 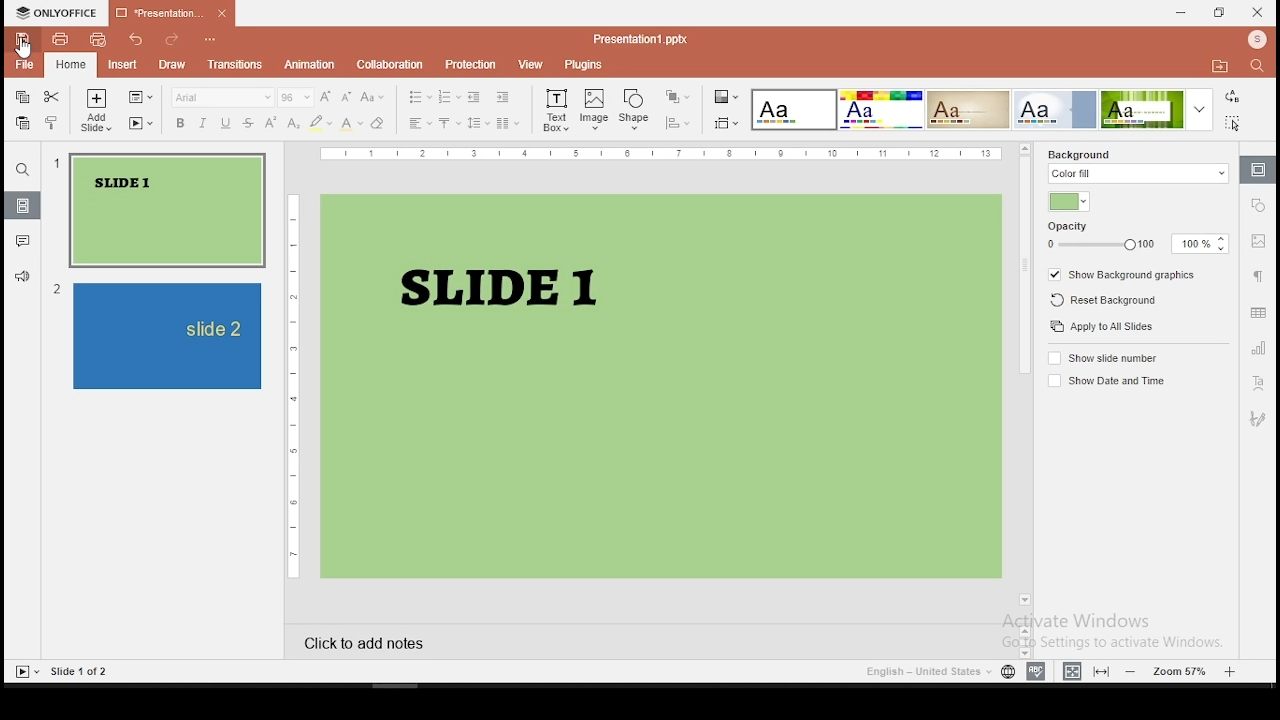 I want to click on text art settings, so click(x=1257, y=385).